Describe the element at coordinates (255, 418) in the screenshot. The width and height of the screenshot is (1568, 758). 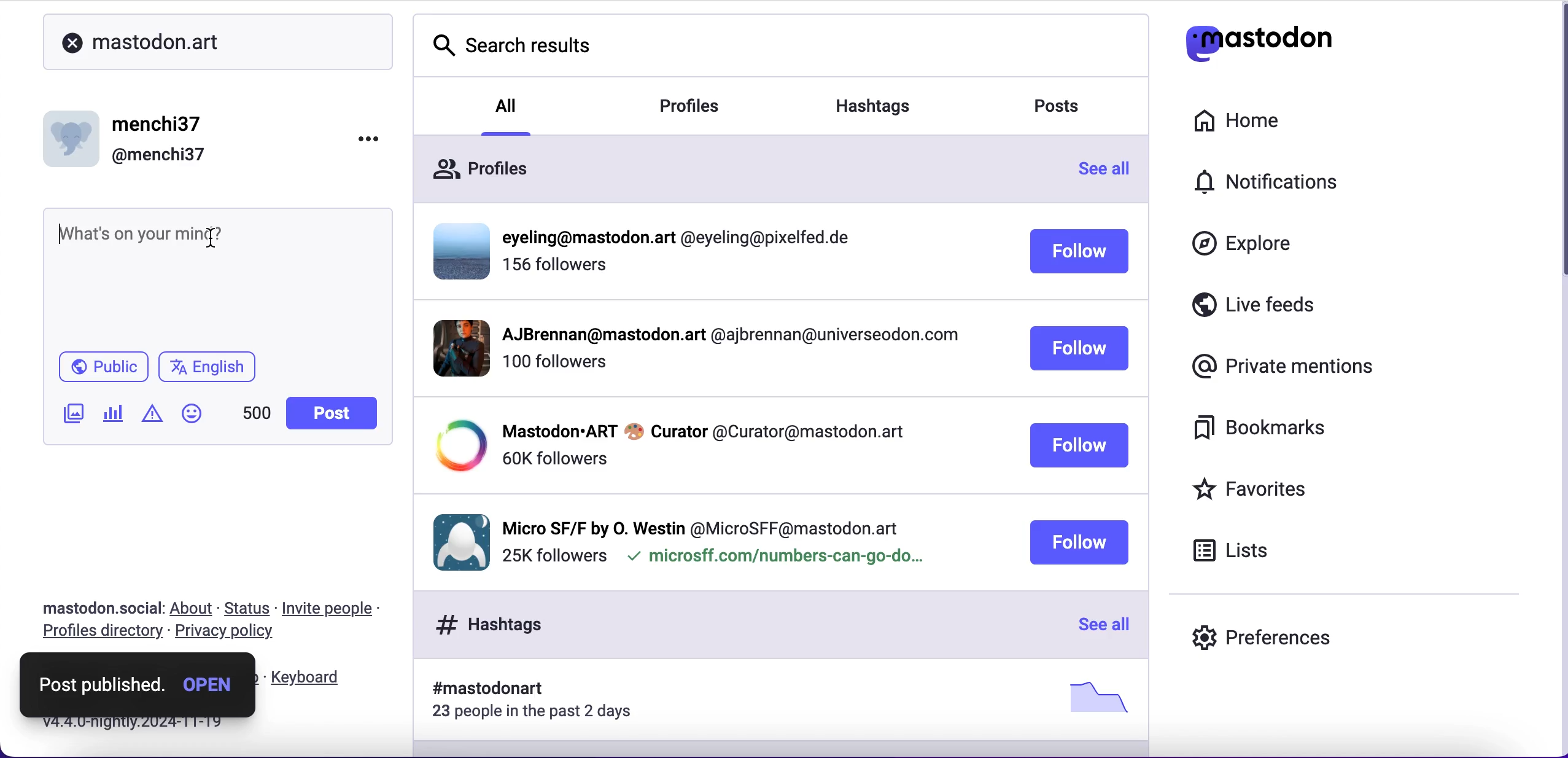
I see `characters left` at that location.